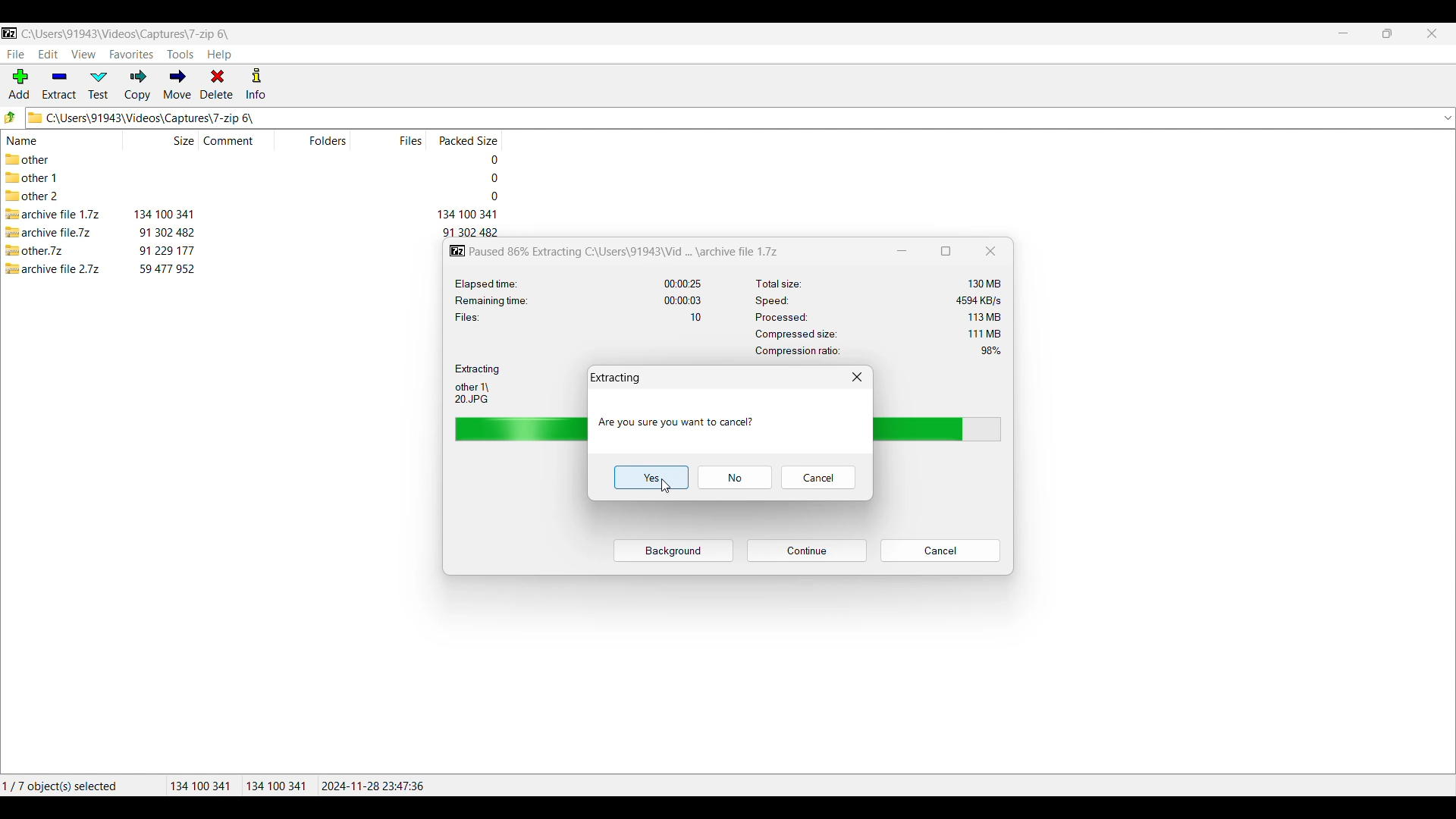  What do you see at coordinates (52, 232) in the screenshot?
I see `archive file.7z` at bounding box center [52, 232].